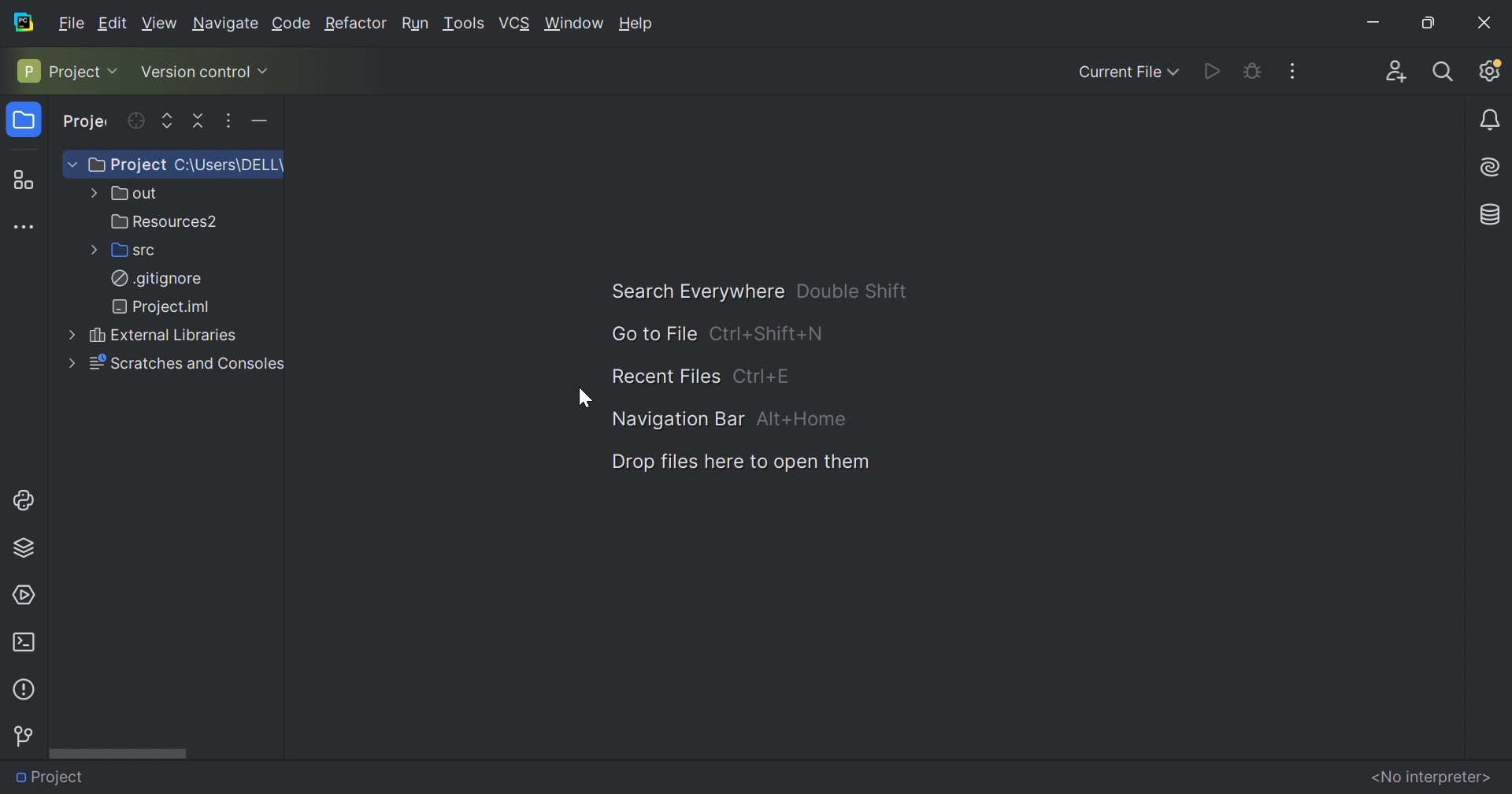 This screenshot has width=1512, height=794. What do you see at coordinates (24, 121) in the screenshot?
I see `Project` at bounding box center [24, 121].